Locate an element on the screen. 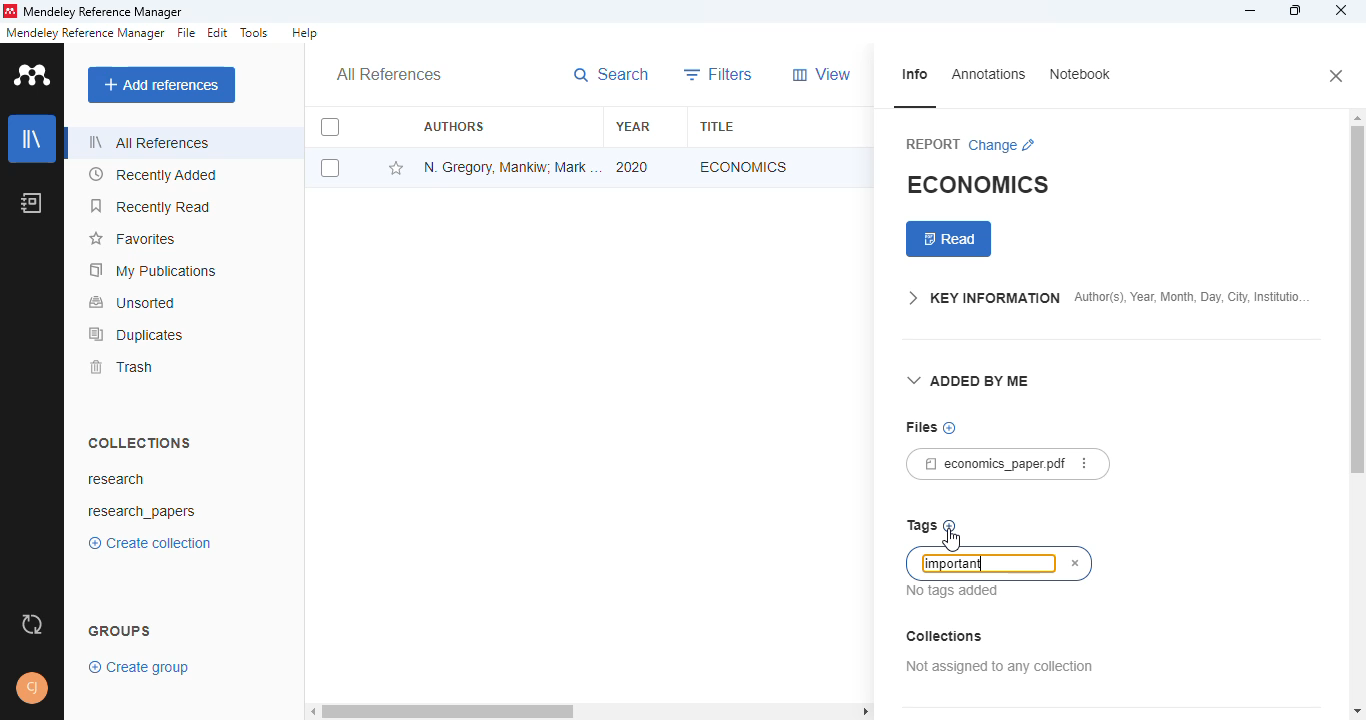 This screenshot has width=1366, height=720. duplicates is located at coordinates (135, 335).